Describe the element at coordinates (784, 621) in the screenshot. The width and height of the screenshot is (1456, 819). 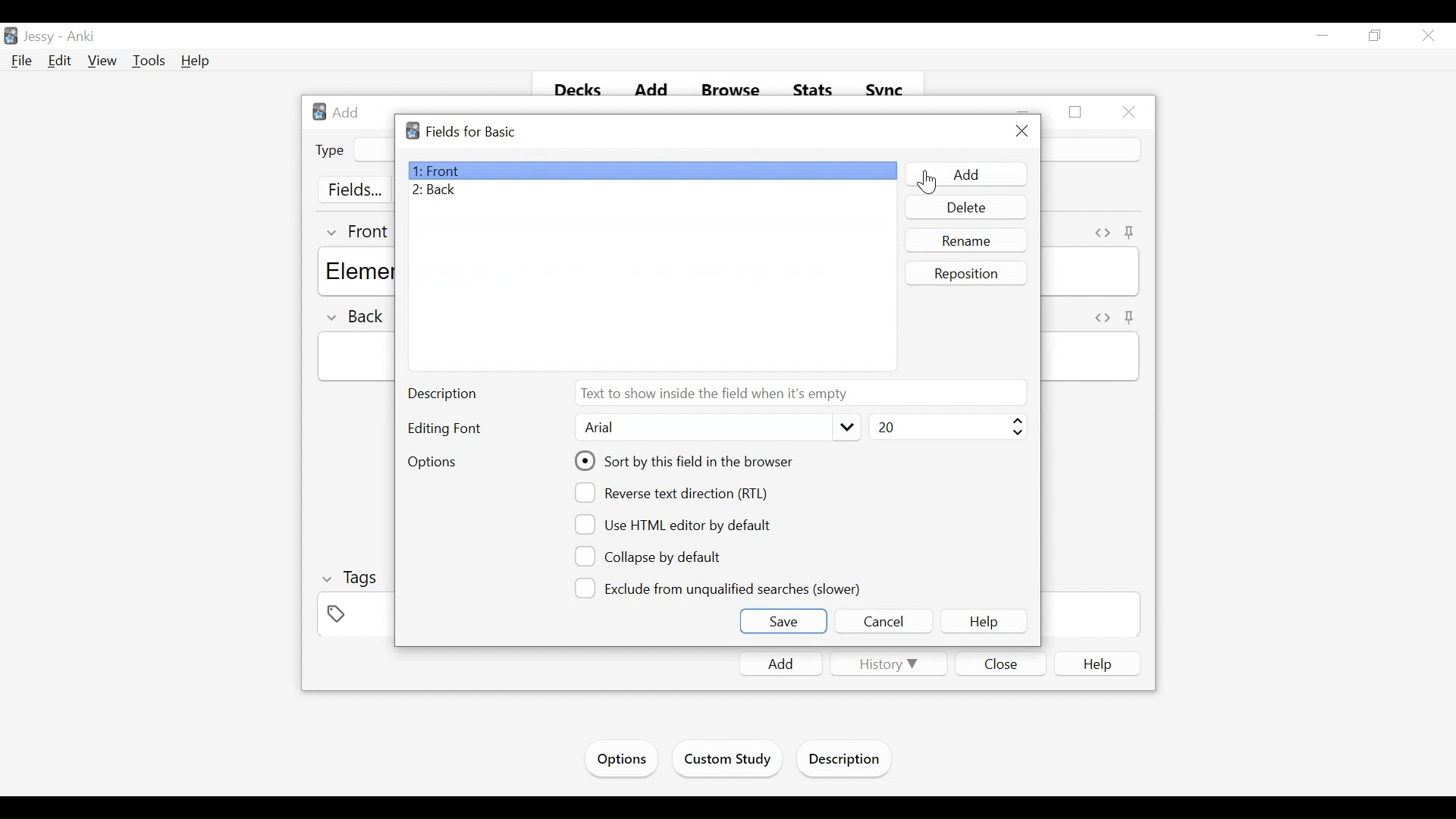
I see `Save` at that location.